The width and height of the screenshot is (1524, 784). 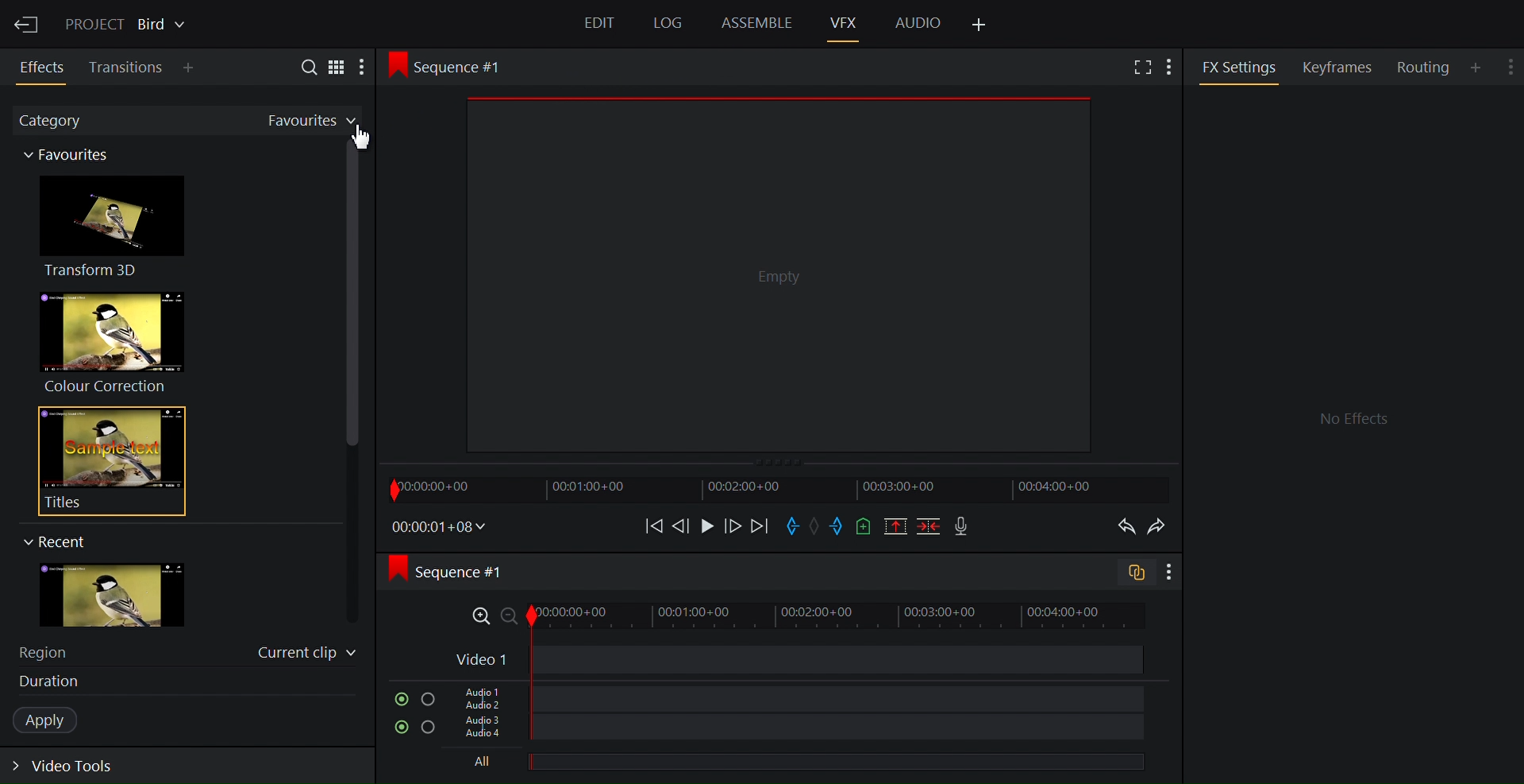 What do you see at coordinates (128, 596) in the screenshot?
I see `image` at bounding box center [128, 596].